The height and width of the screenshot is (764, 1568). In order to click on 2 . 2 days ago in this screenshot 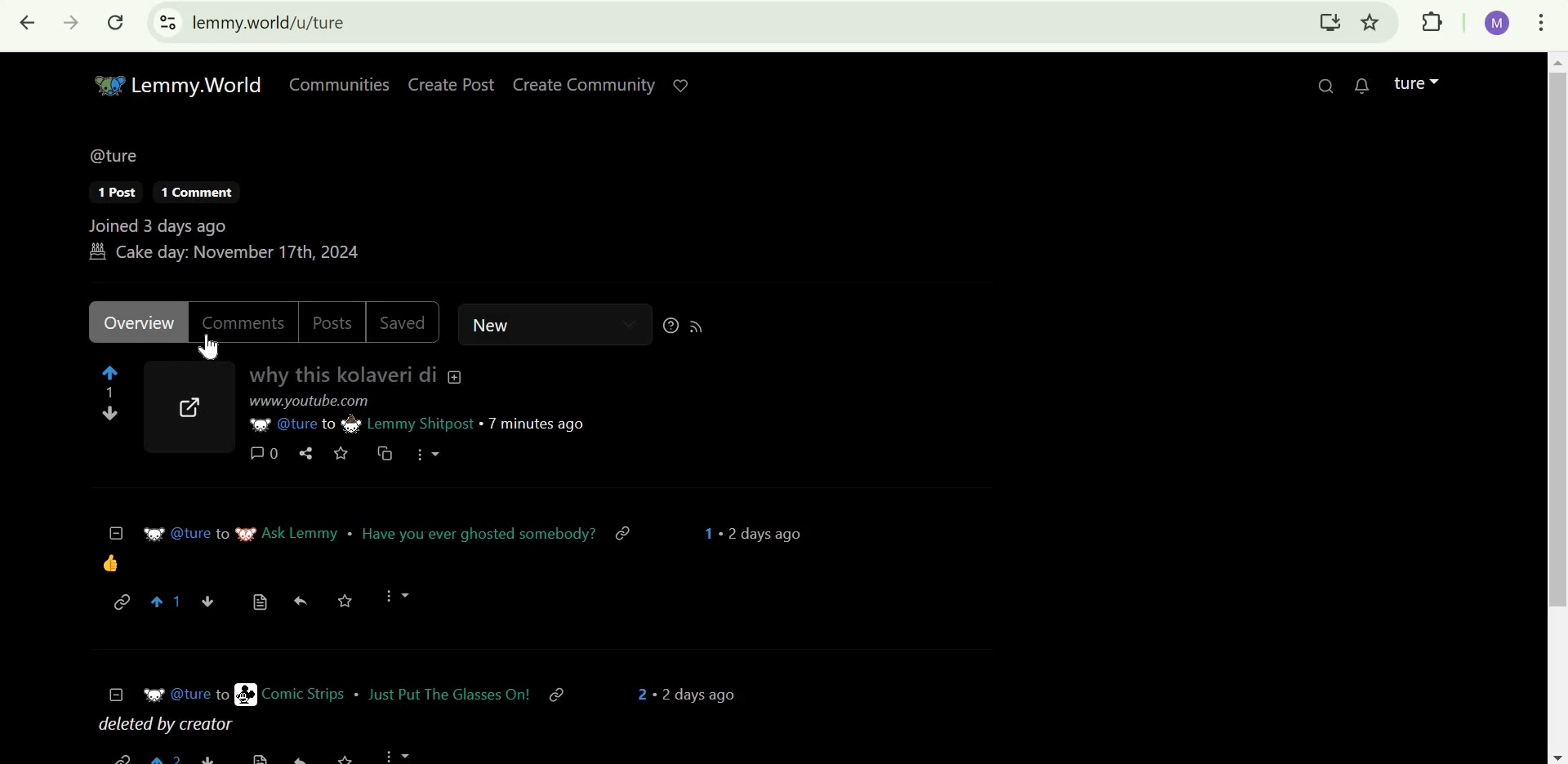, I will do `click(679, 691)`.